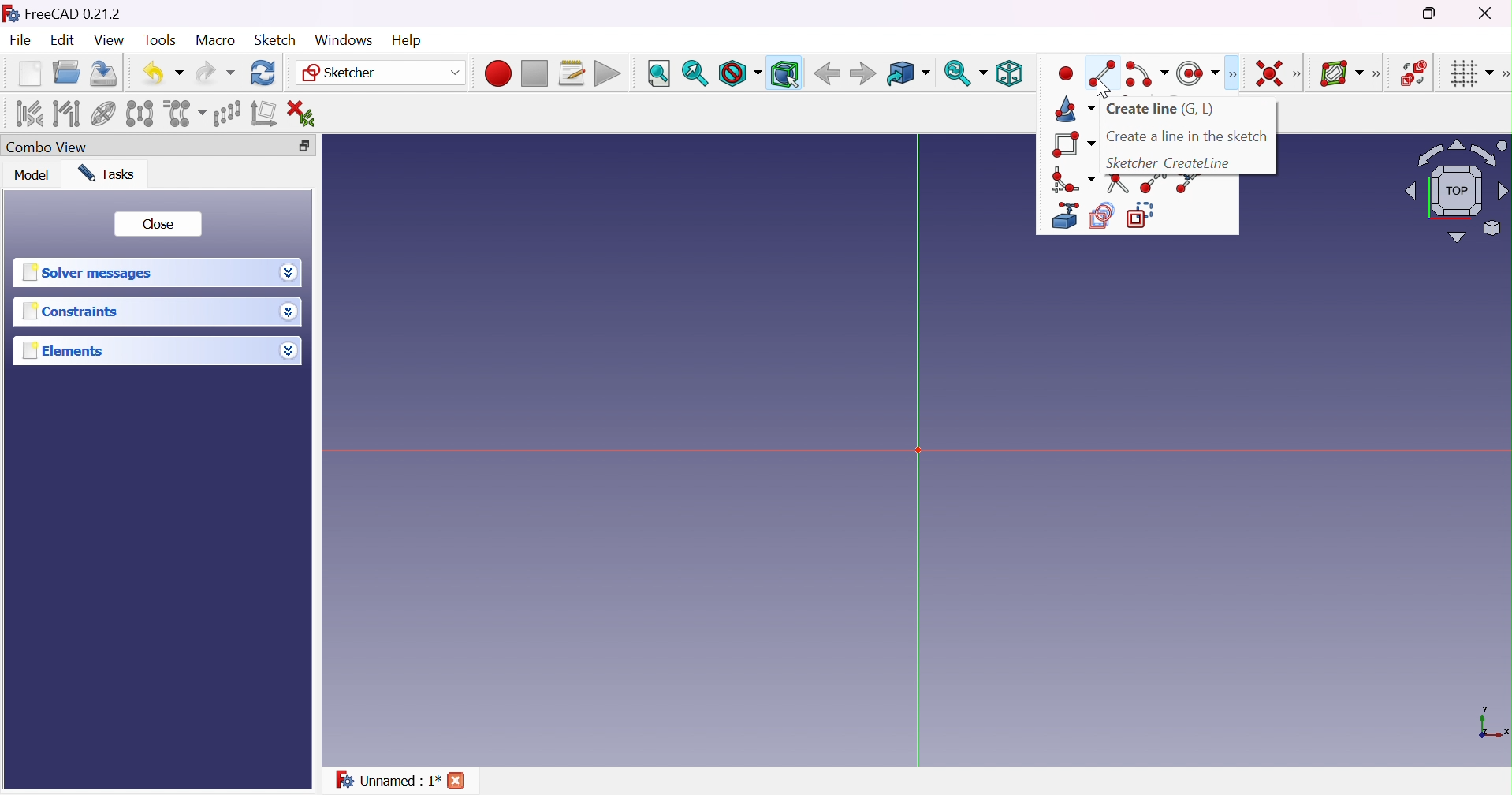  I want to click on Create circle, so click(1197, 73).